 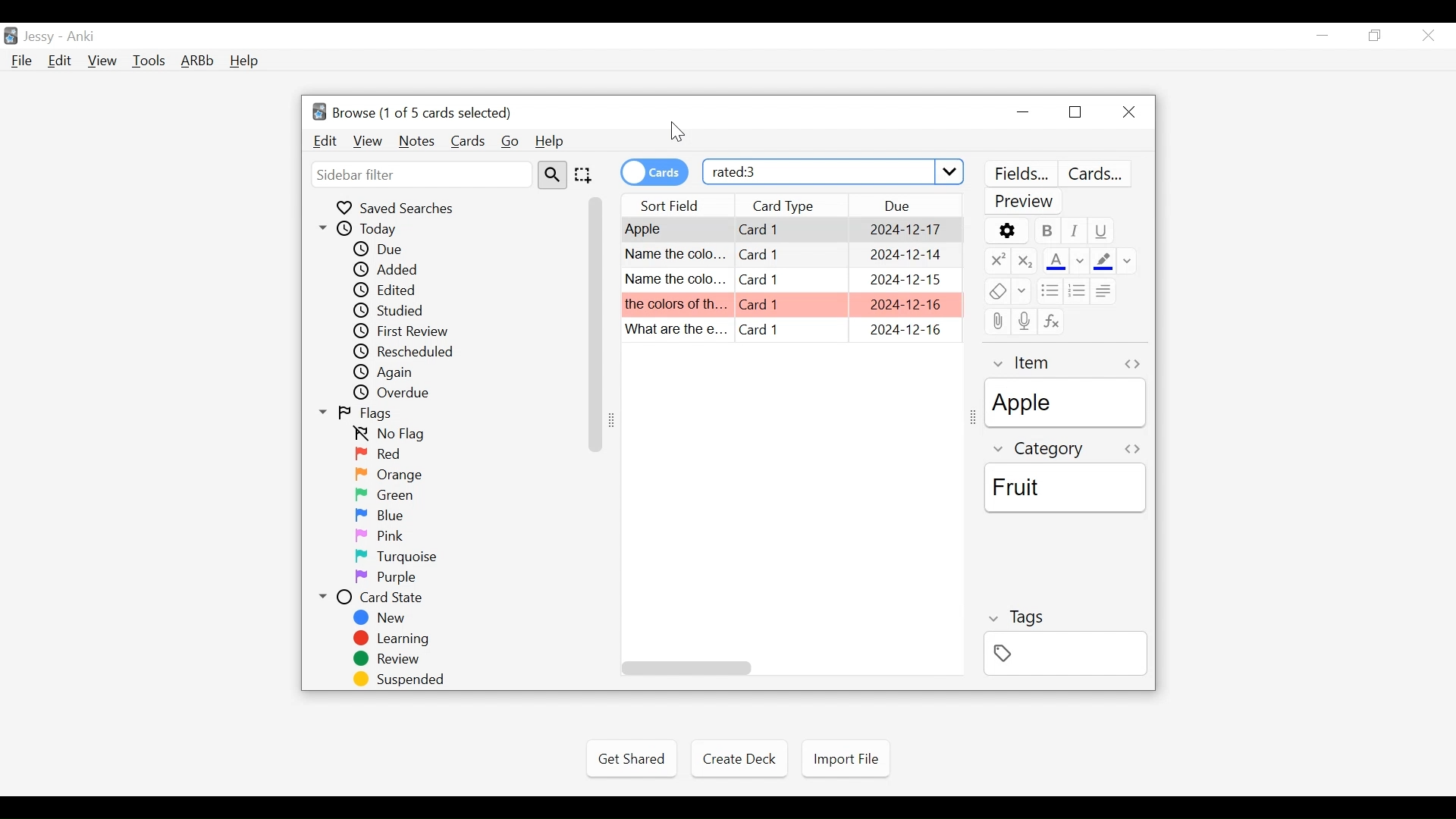 I want to click on Horizontal Scroll bar, so click(x=688, y=667).